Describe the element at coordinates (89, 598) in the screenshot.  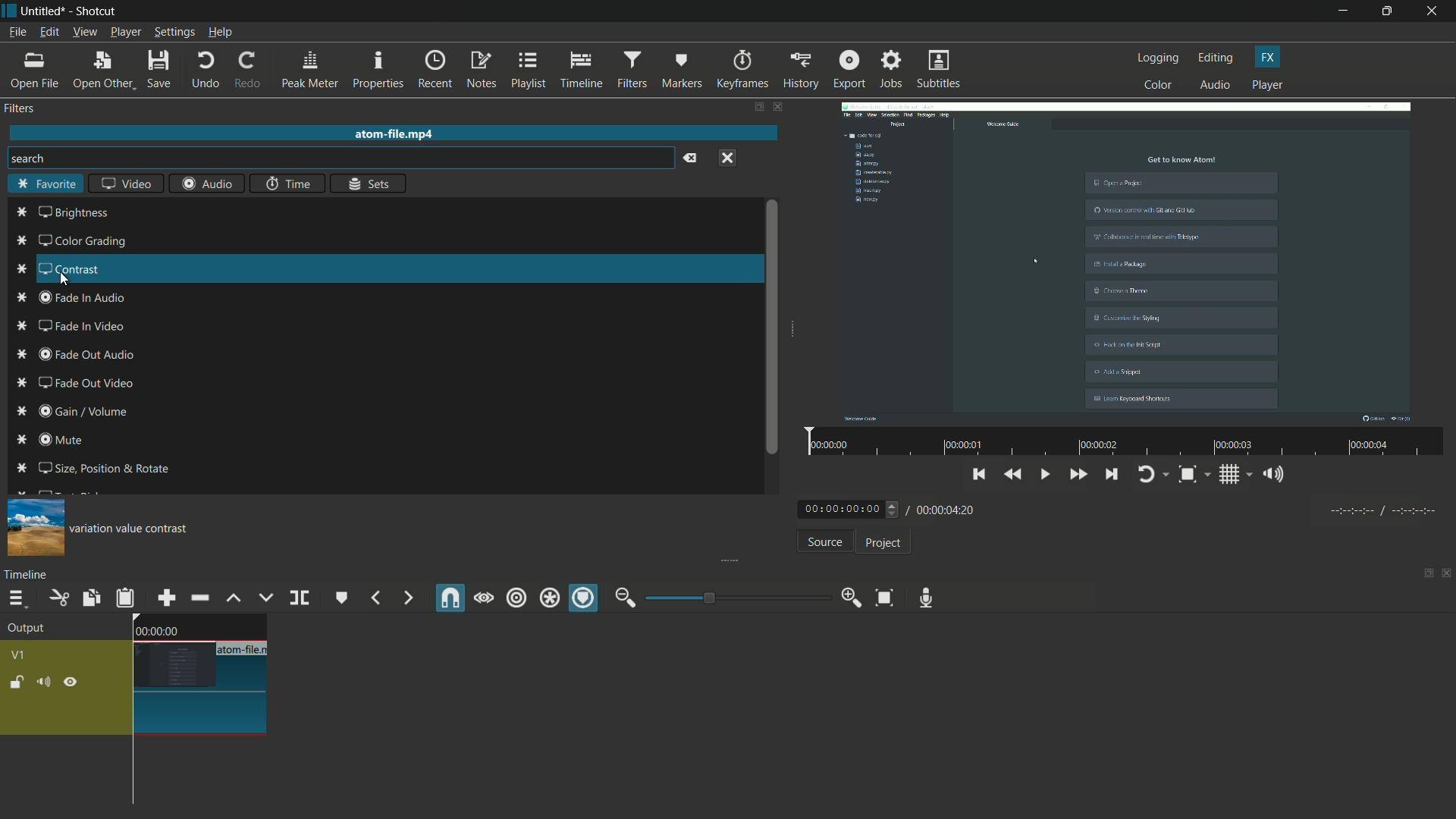
I see `copy` at that location.